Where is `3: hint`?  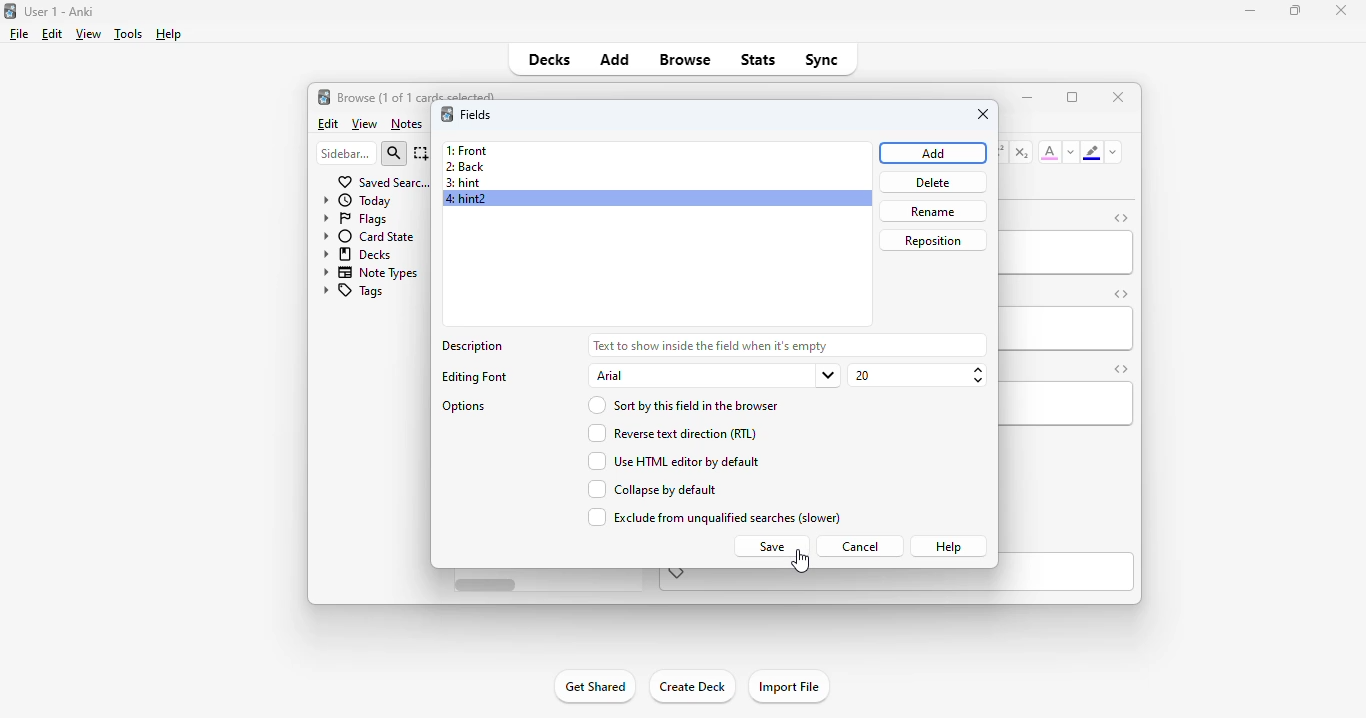 3: hint is located at coordinates (462, 182).